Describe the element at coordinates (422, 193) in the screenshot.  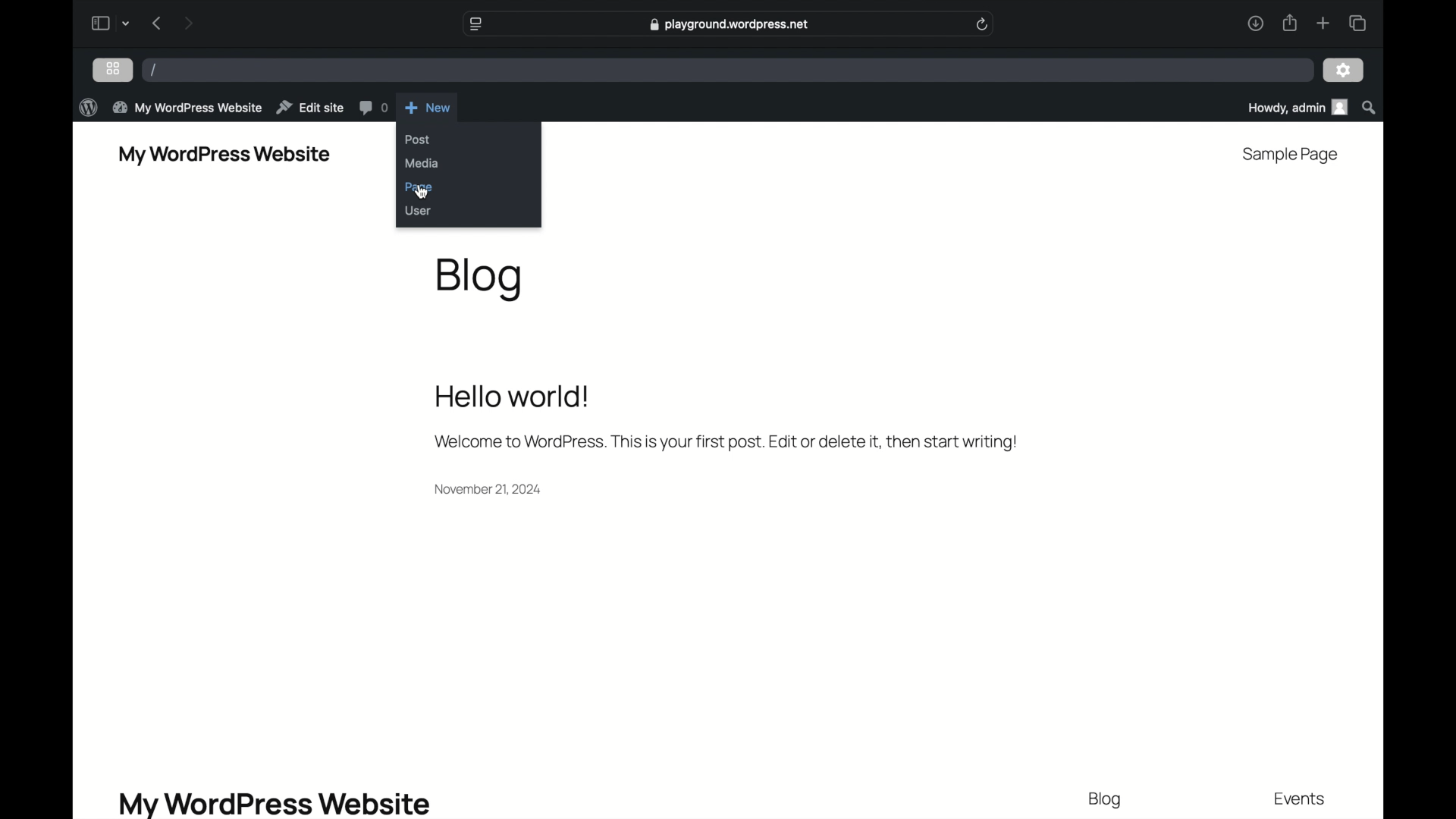
I see `cursor` at that location.